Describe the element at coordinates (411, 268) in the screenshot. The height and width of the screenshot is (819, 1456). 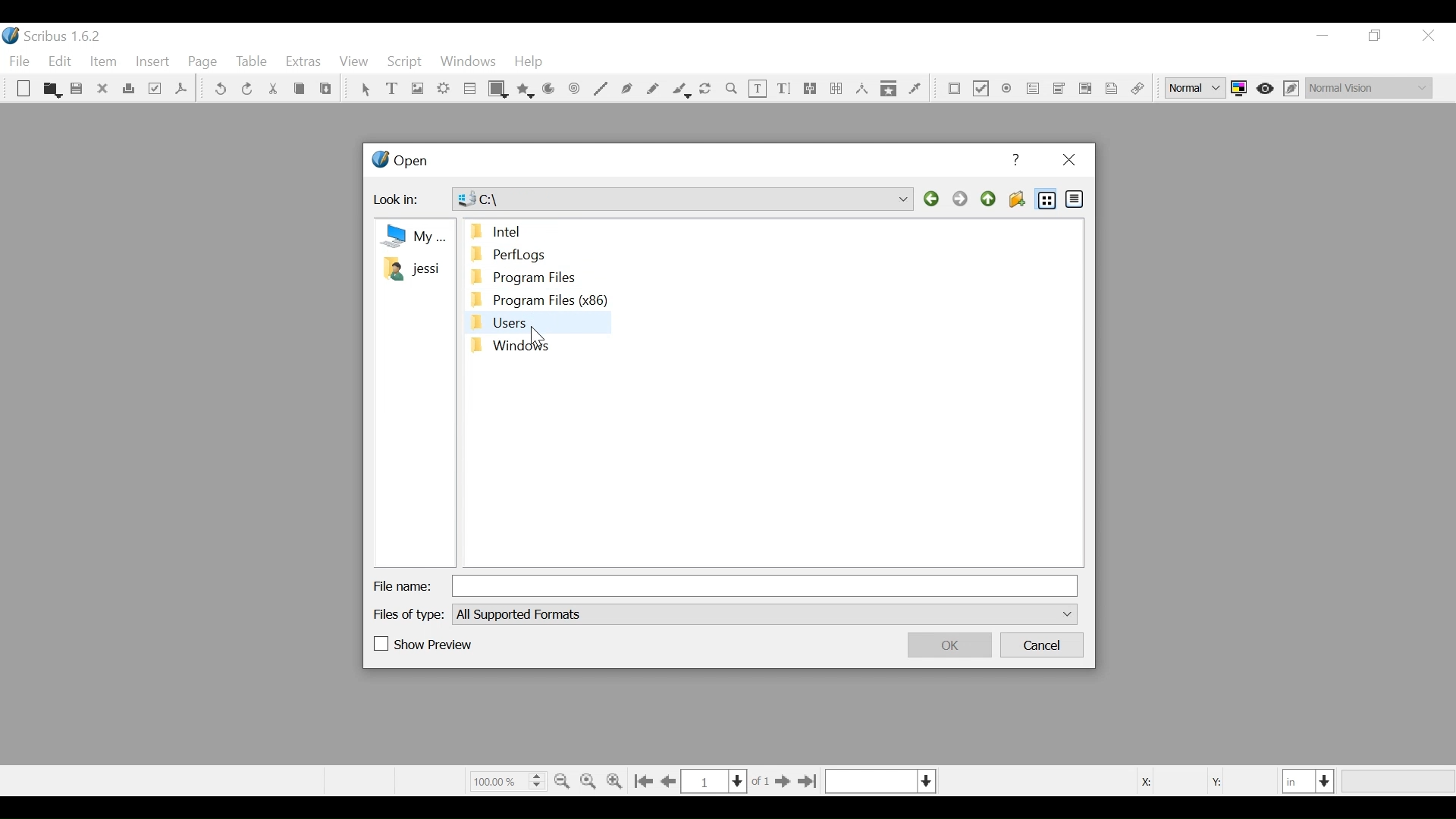
I see `Folder` at that location.